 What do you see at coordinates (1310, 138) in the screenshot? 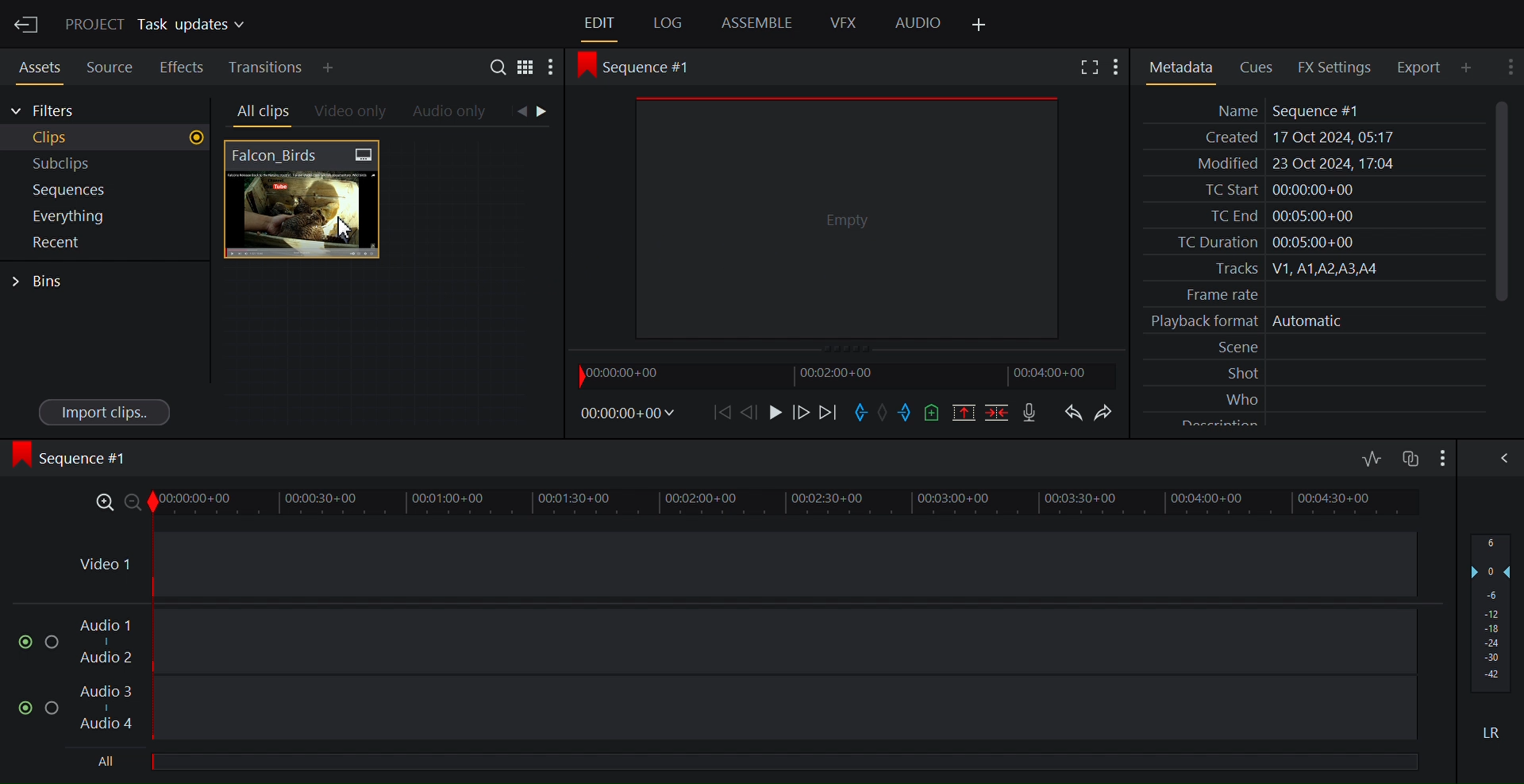
I see `Created` at bounding box center [1310, 138].